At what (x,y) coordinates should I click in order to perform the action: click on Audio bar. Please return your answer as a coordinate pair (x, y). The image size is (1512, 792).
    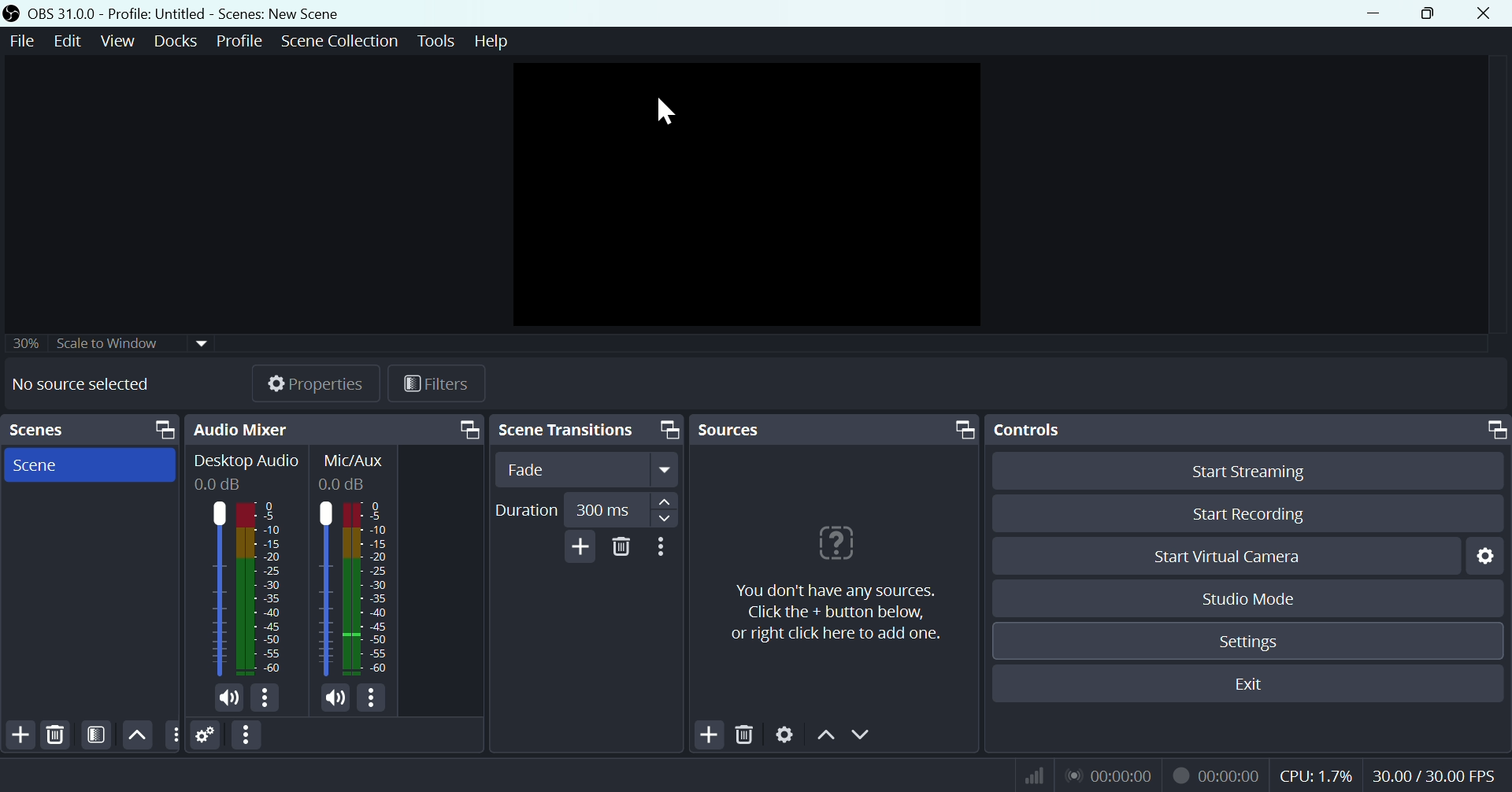
    Looking at the image, I should click on (244, 586).